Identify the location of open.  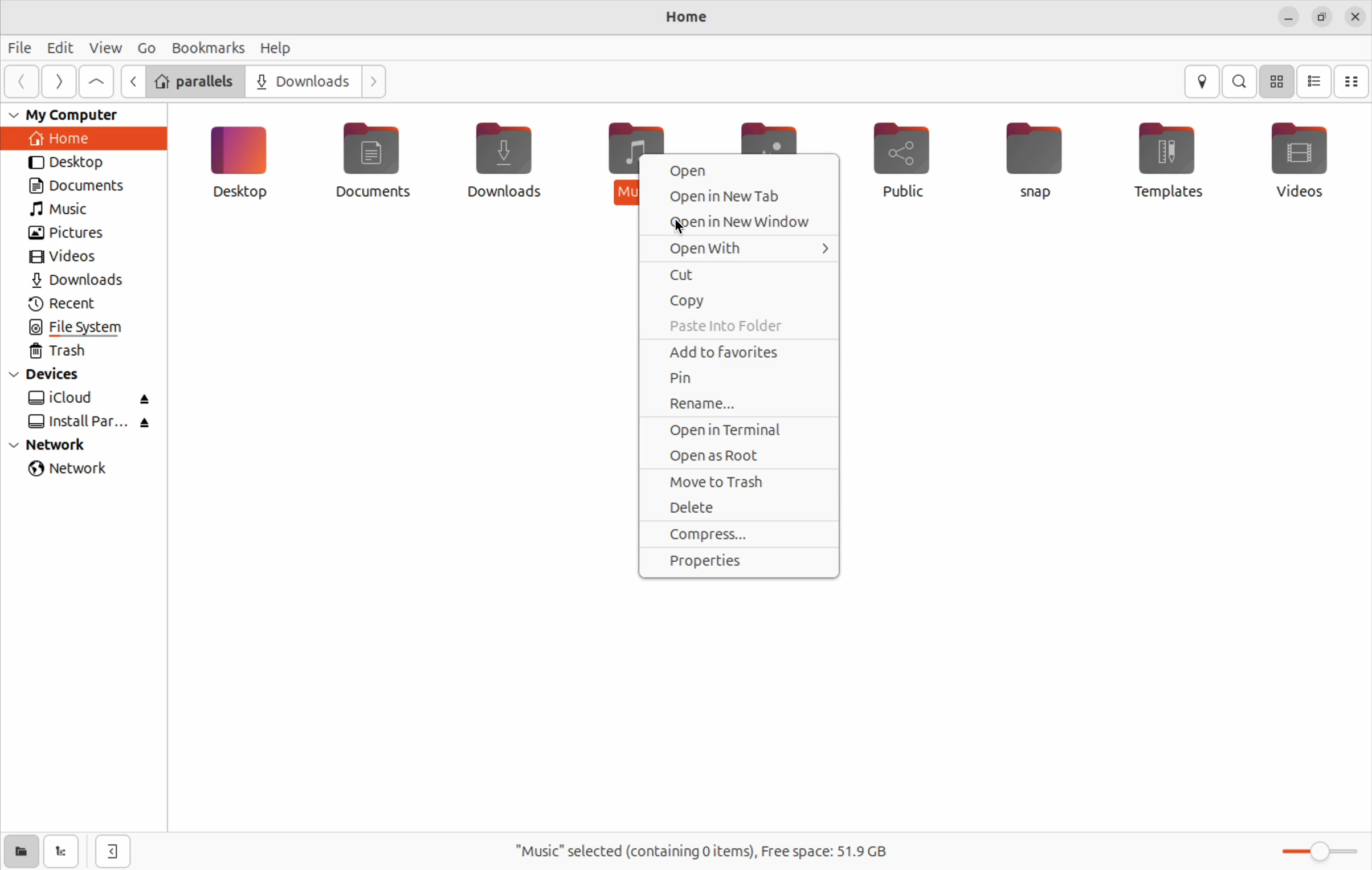
(738, 170).